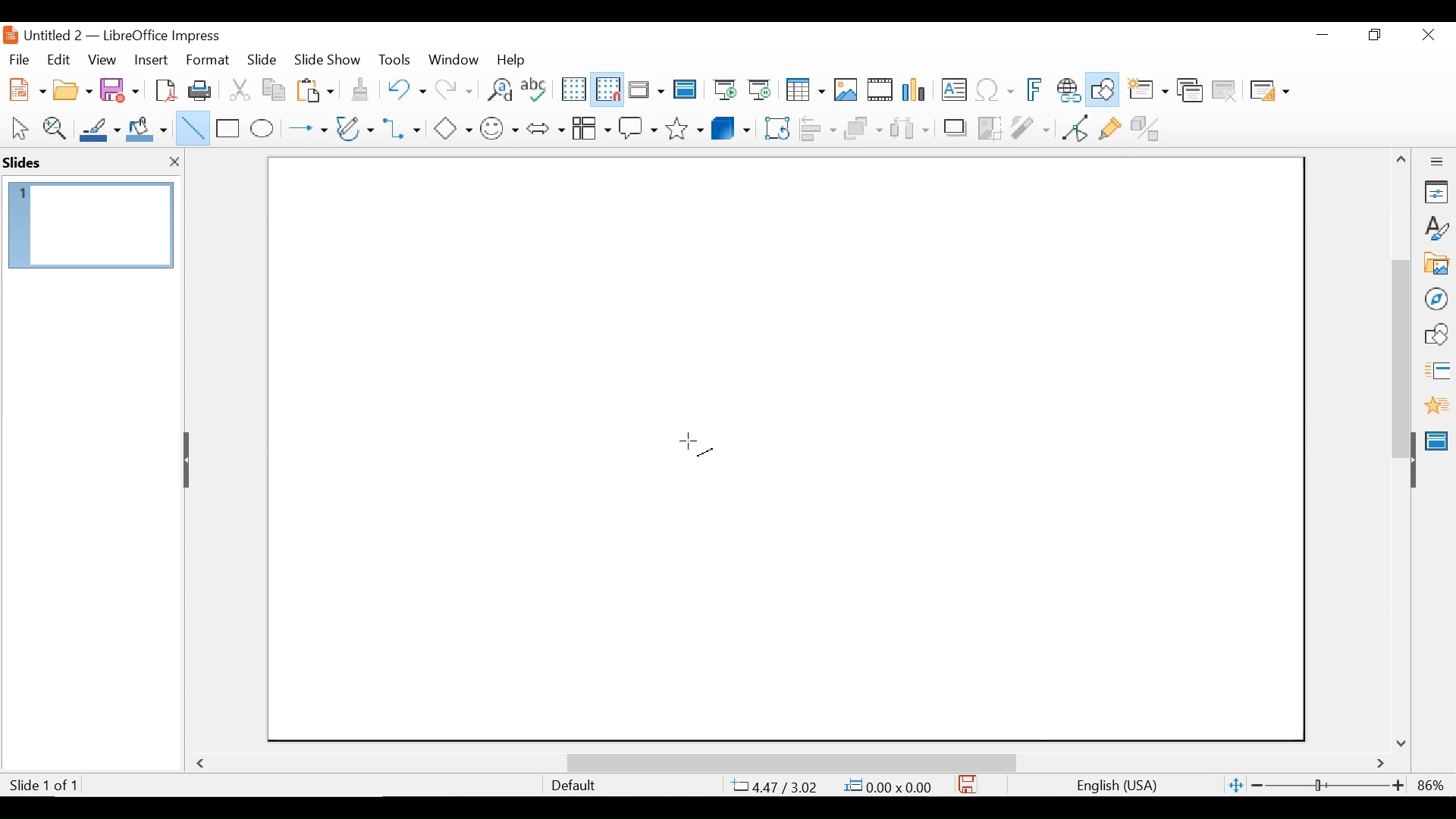  Describe the element at coordinates (990, 127) in the screenshot. I see `Crop Image` at that location.